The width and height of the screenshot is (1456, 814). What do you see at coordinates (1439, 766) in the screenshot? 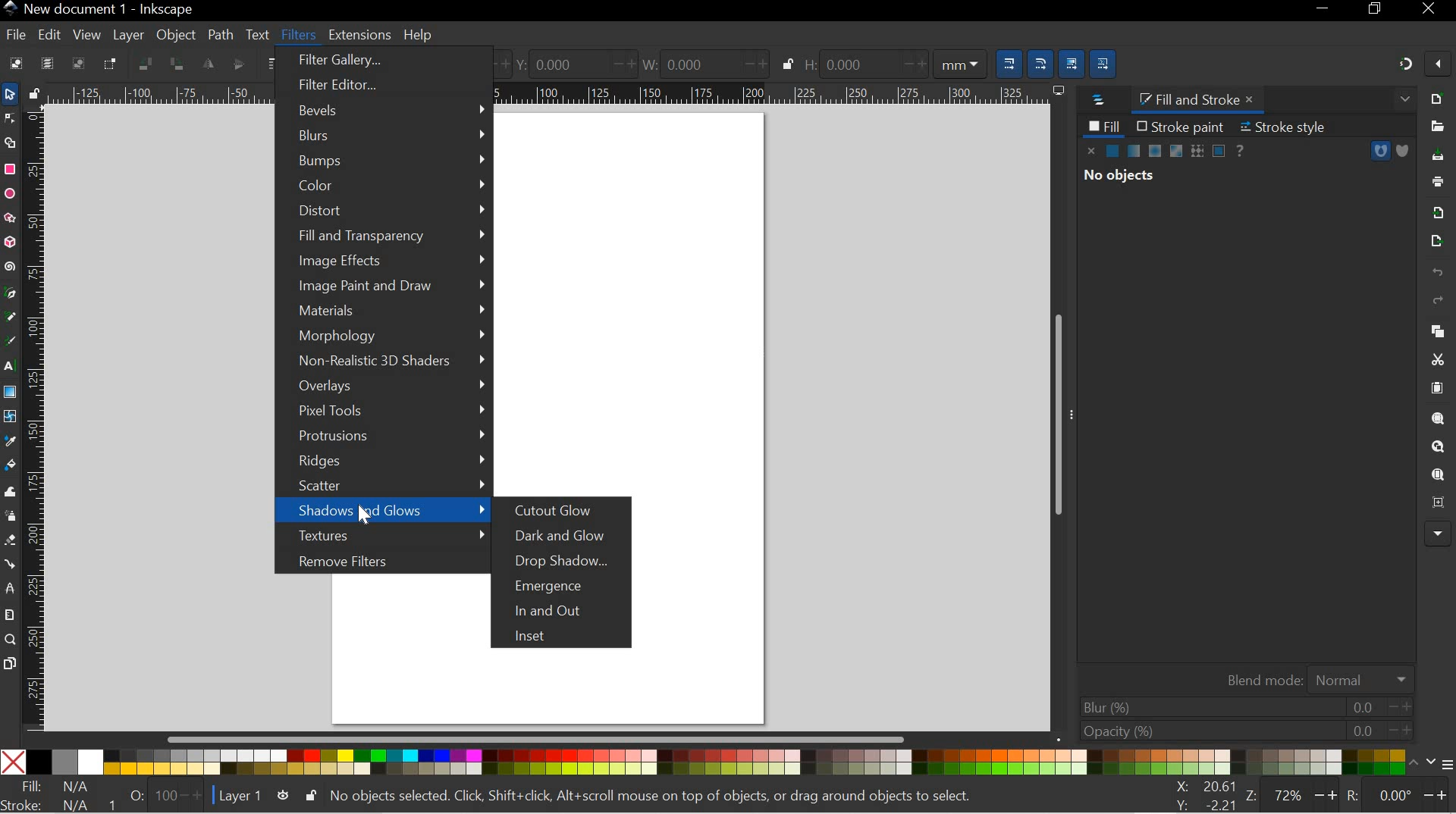
I see `CONFIGURE` at bounding box center [1439, 766].